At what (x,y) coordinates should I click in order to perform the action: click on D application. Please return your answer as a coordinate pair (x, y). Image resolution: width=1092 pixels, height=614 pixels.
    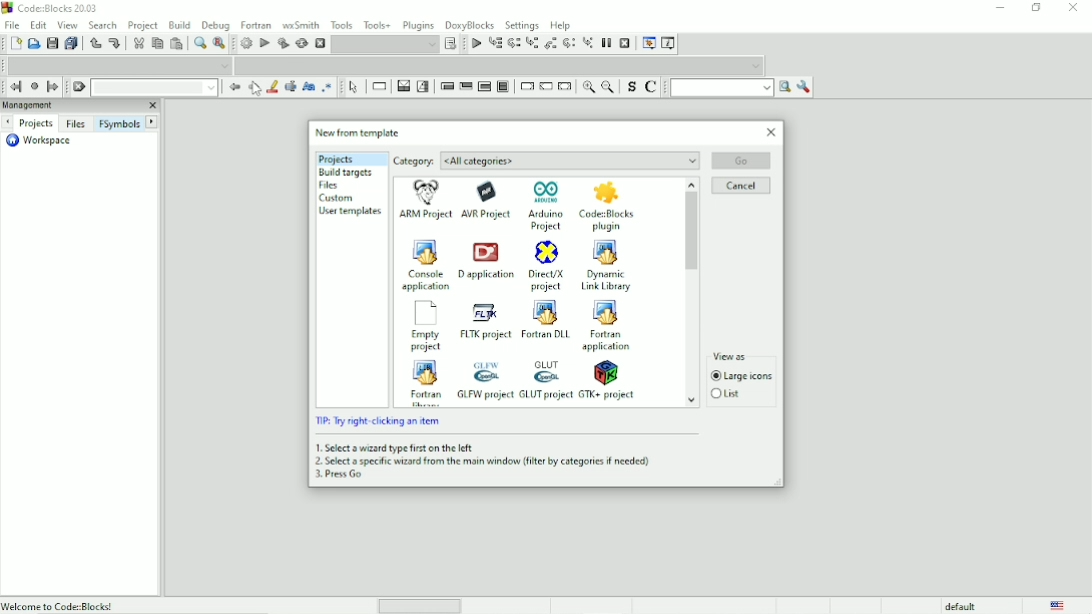
    Looking at the image, I should click on (486, 262).